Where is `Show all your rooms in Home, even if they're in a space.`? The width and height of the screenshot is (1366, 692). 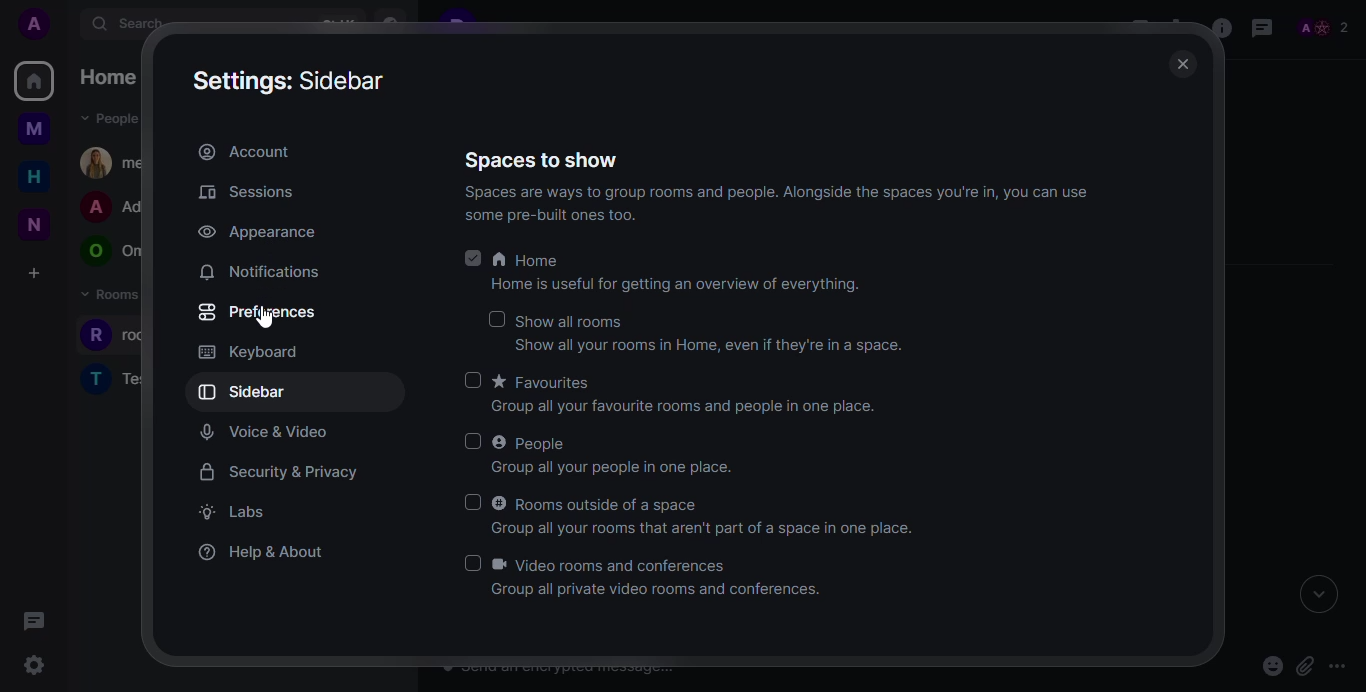 Show all your rooms in Home, even if they're in a space. is located at coordinates (716, 346).